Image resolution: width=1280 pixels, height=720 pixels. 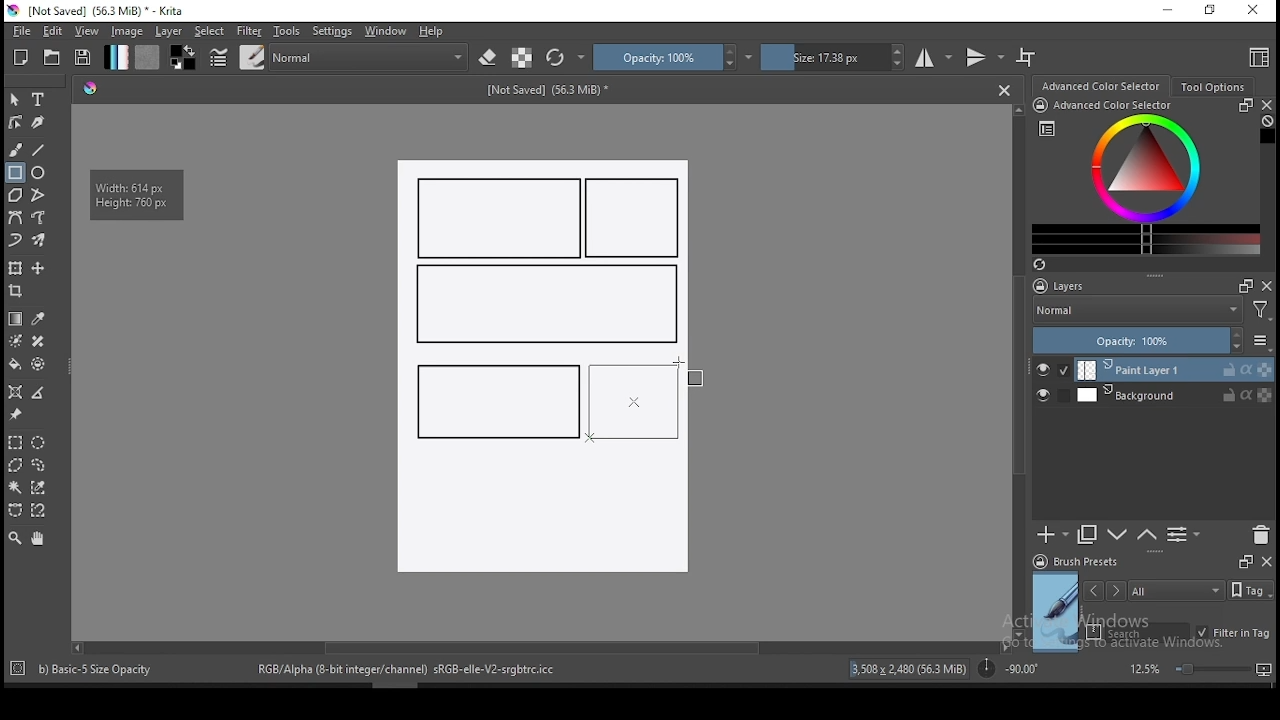 What do you see at coordinates (38, 193) in the screenshot?
I see `polyline tool` at bounding box center [38, 193].